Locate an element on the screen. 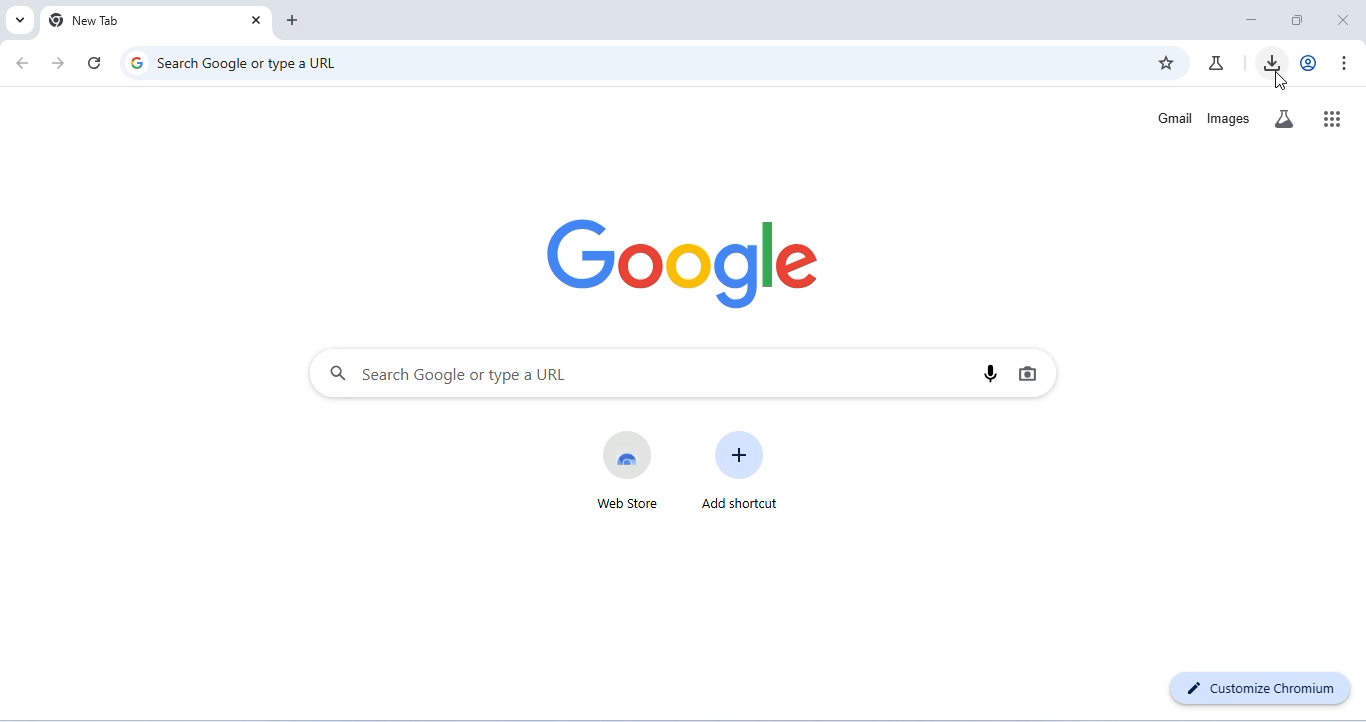 This screenshot has height=722, width=1366. web store is located at coordinates (631, 473).